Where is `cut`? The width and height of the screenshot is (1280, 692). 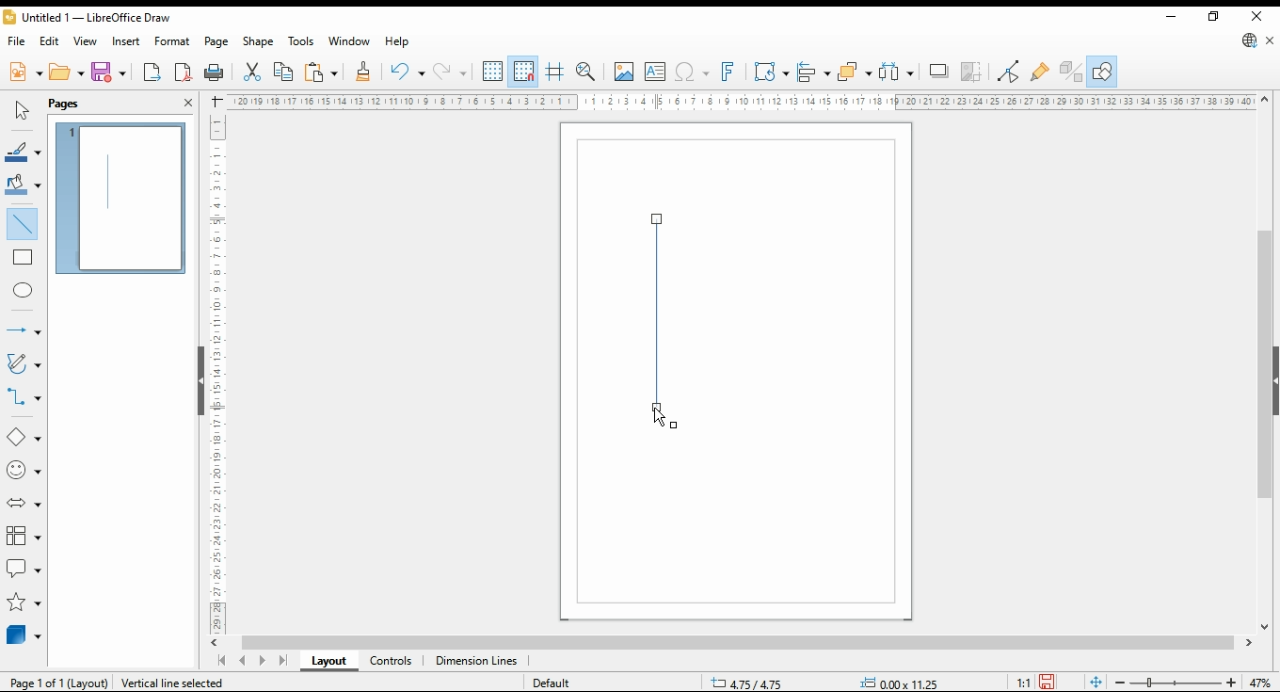 cut is located at coordinates (250, 72).